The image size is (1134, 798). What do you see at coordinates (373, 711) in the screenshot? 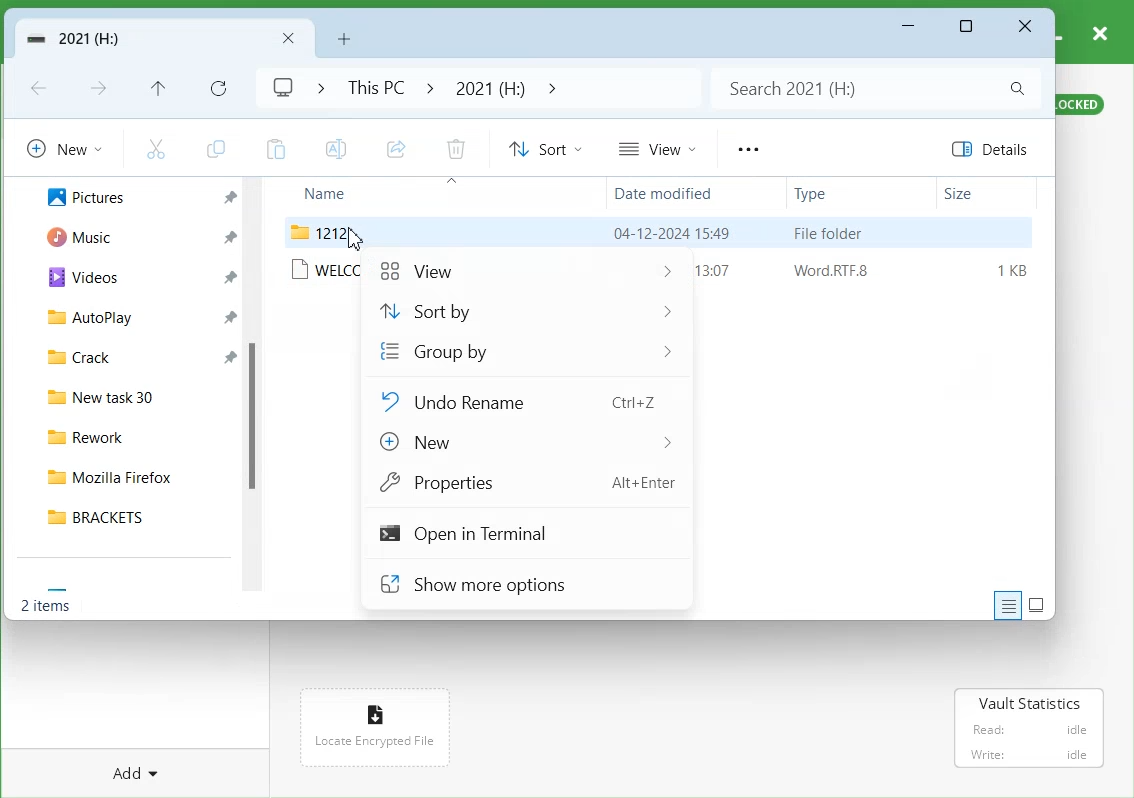
I see `icon` at bounding box center [373, 711].